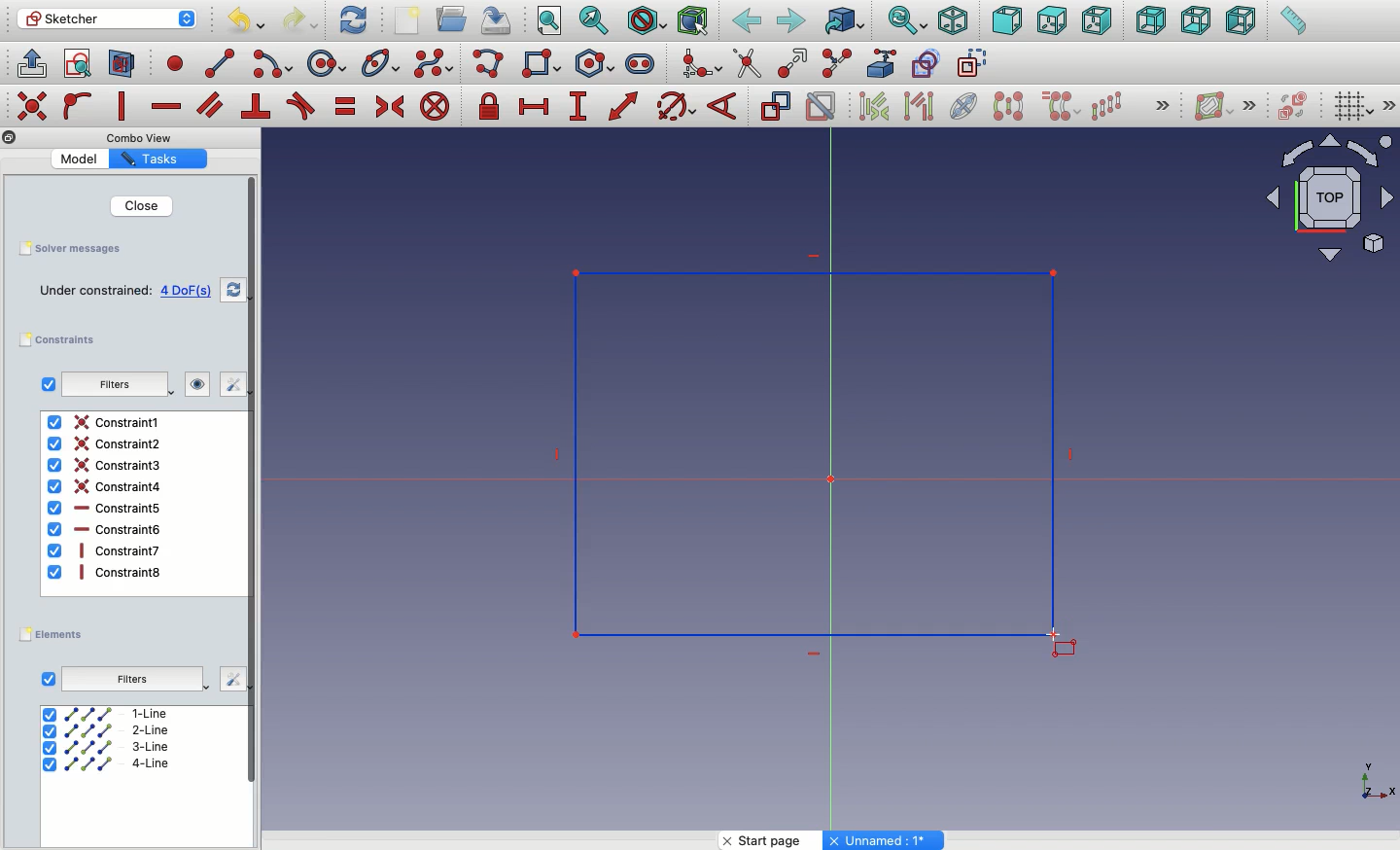 The image size is (1400, 850). I want to click on constrain perpendicular, so click(258, 107).